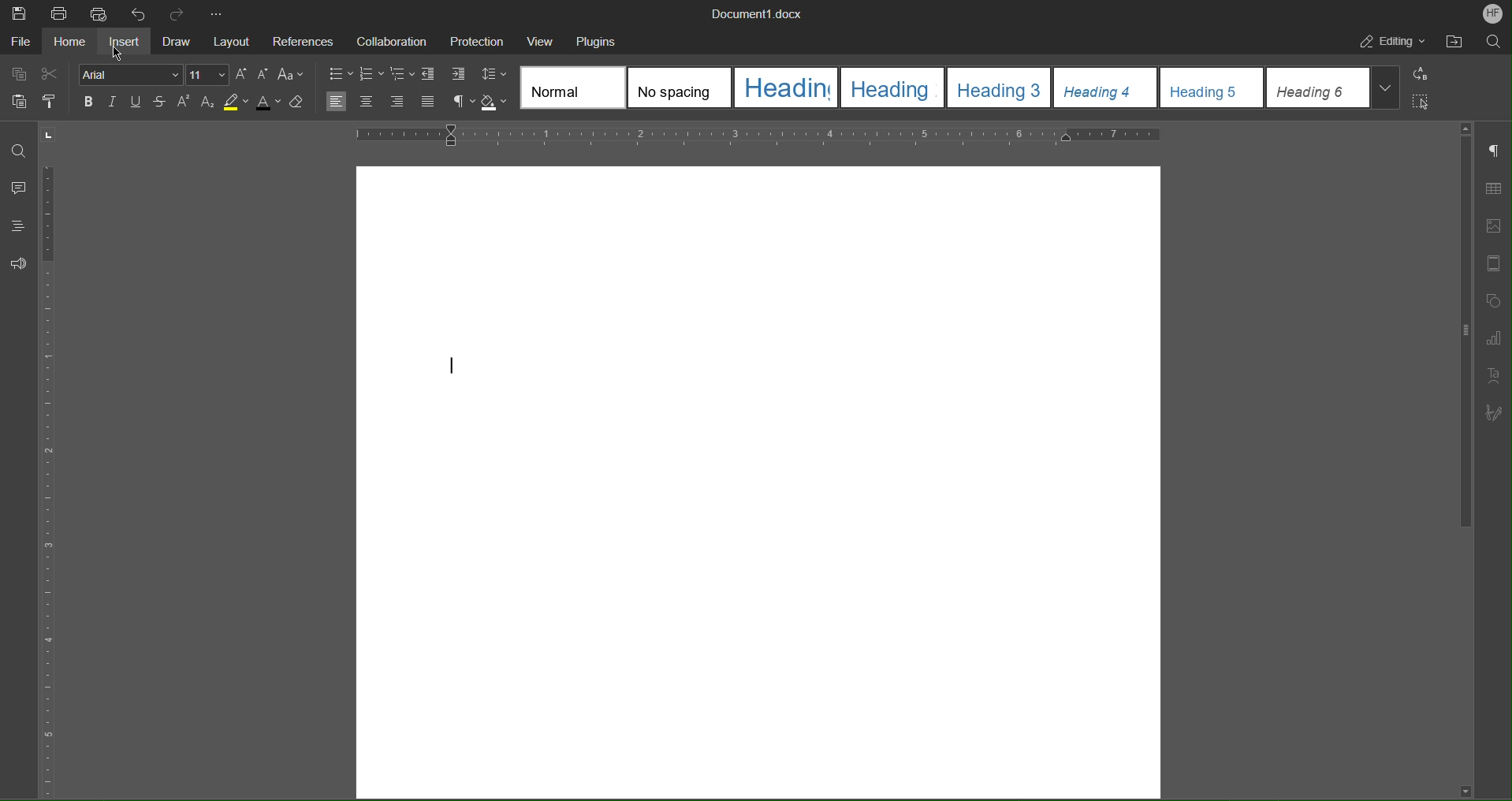 This screenshot has width=1512, height=801. What do you see at coordinates (754, 482) in the screenshot?
I see `Blank page` at bounding box center [754, 482].